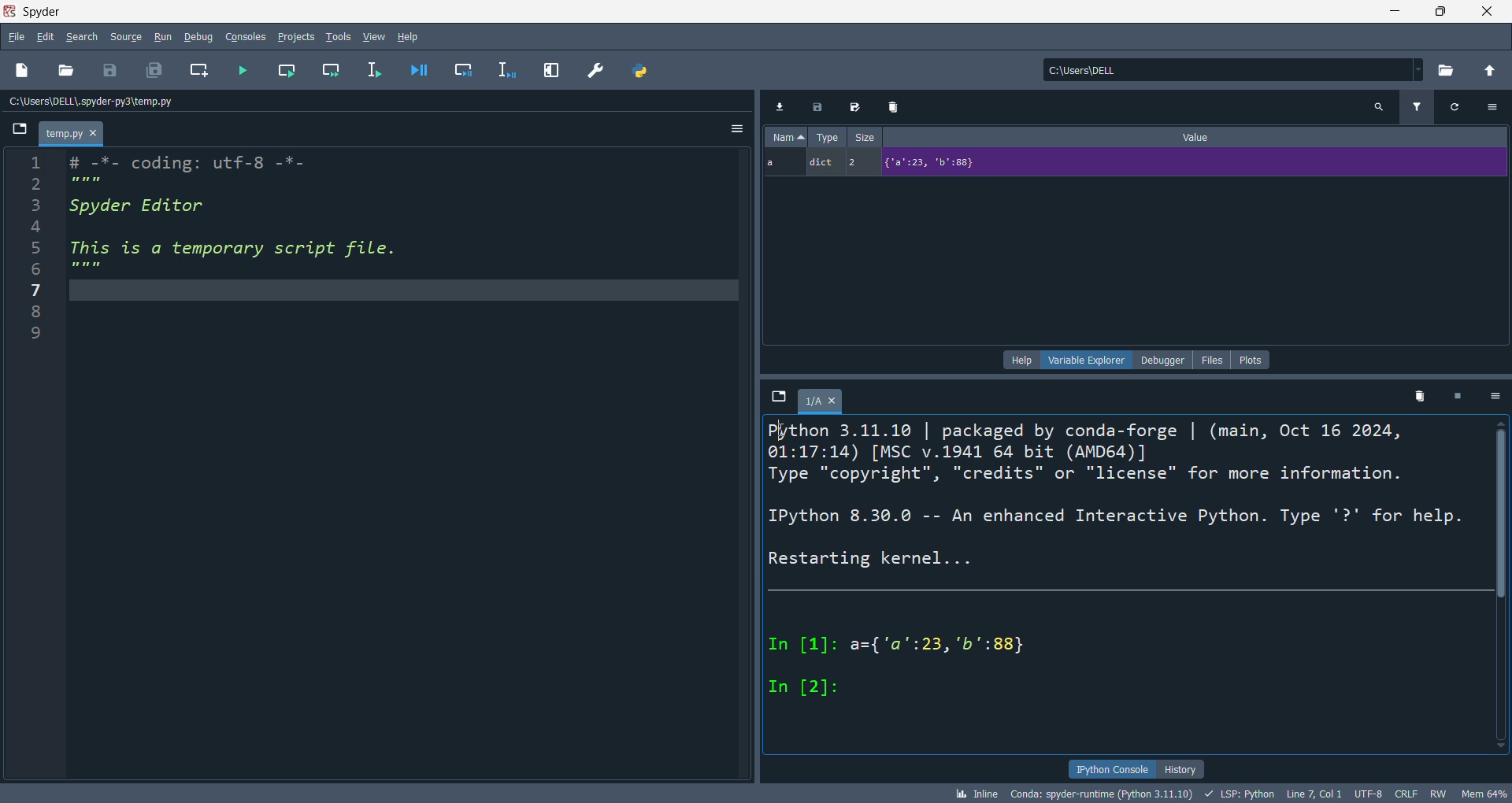  I want to click on debug line, so click(513, 71).